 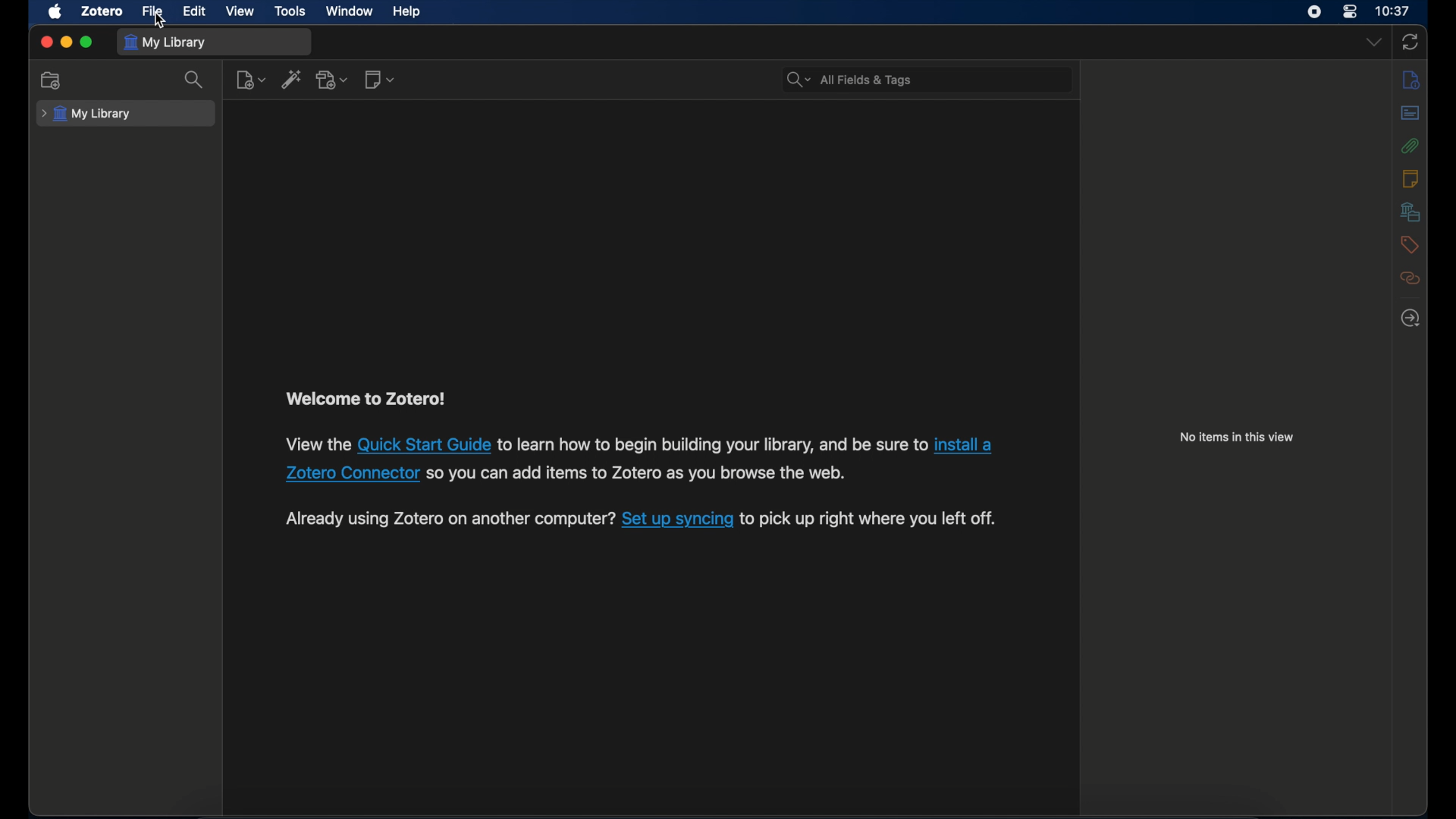 What do you see at coordinates (315, 447) in the screenshot?
I see `software information` at bounding box center [315, 447].